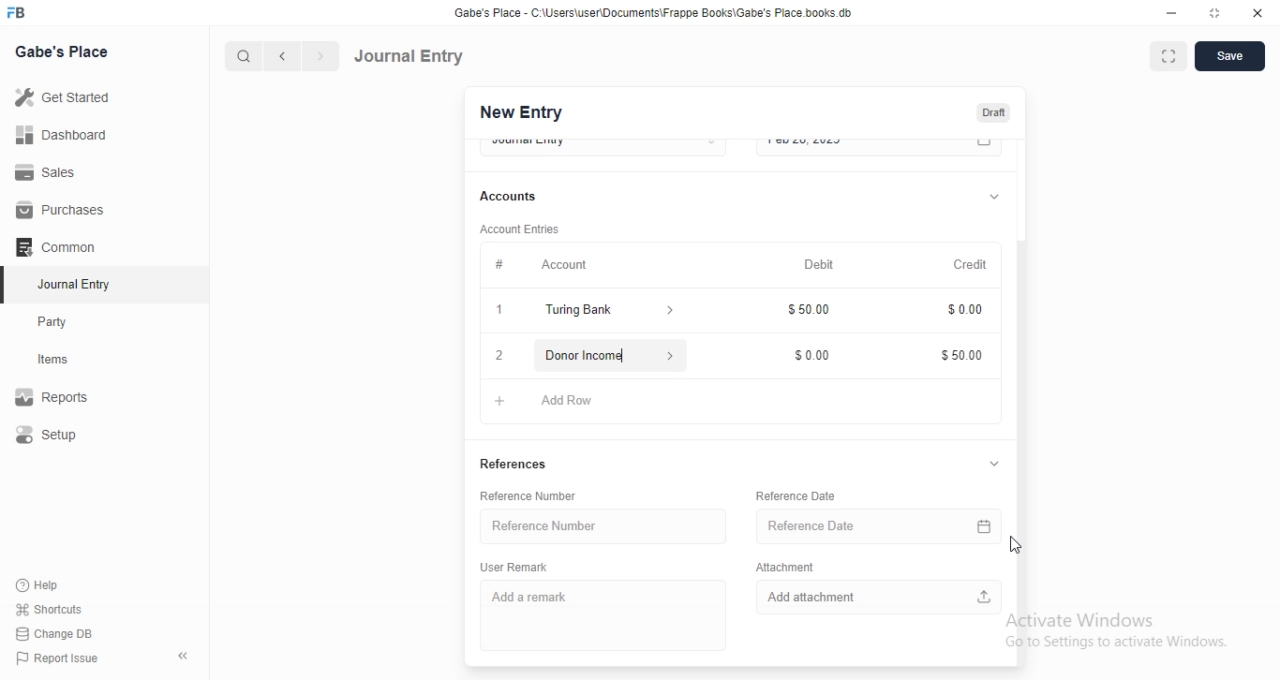 The height and width of the screenshot is (680, 1280). I want to click on Gabe's Place - C\Users\userDocuments Frappe Books\Gabe's Place books db., so click(654, 13).